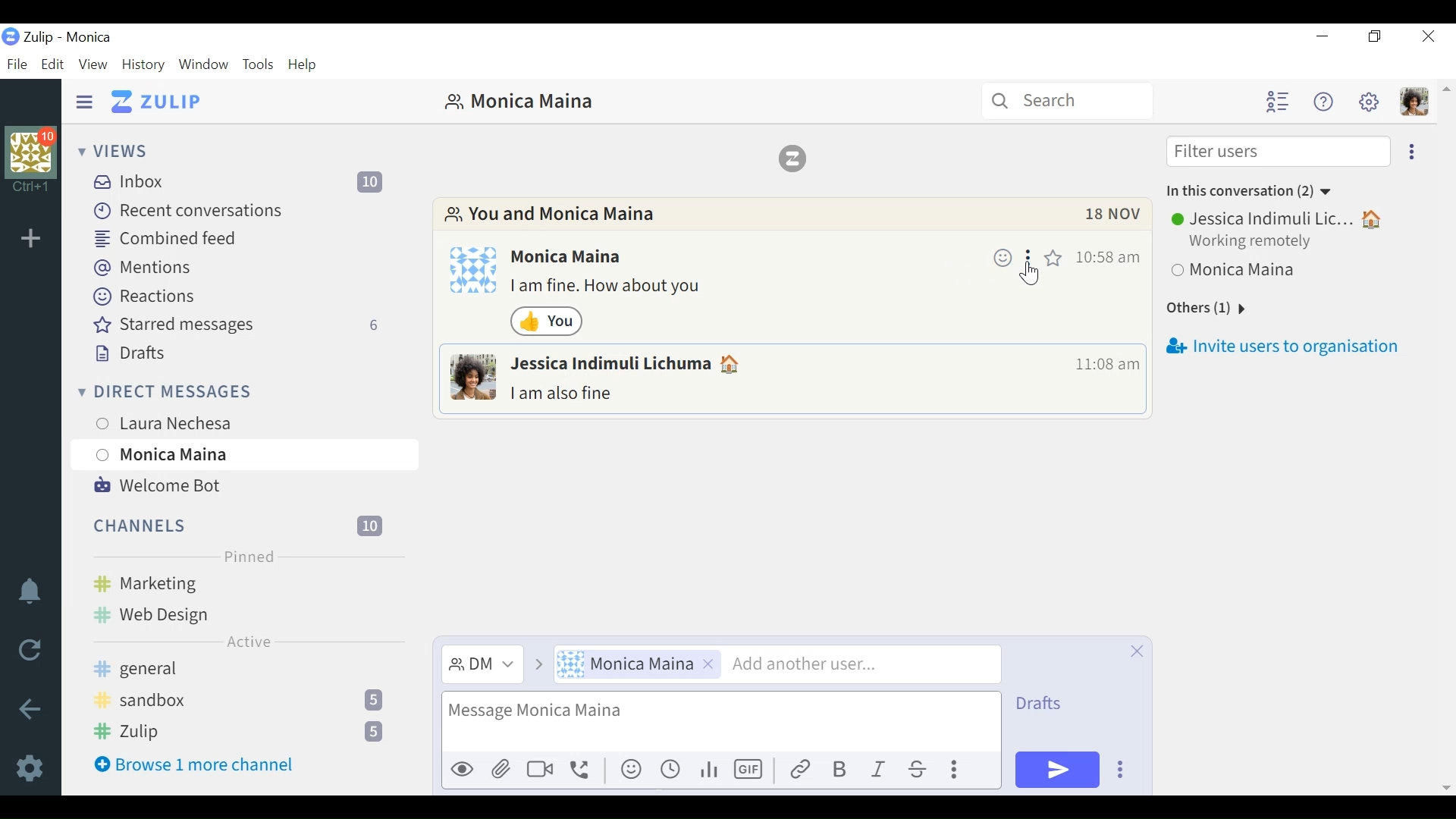  Describe the element at coordinates (1445, 438) in the screenshot. I see `vertical scrollbar` at that location.